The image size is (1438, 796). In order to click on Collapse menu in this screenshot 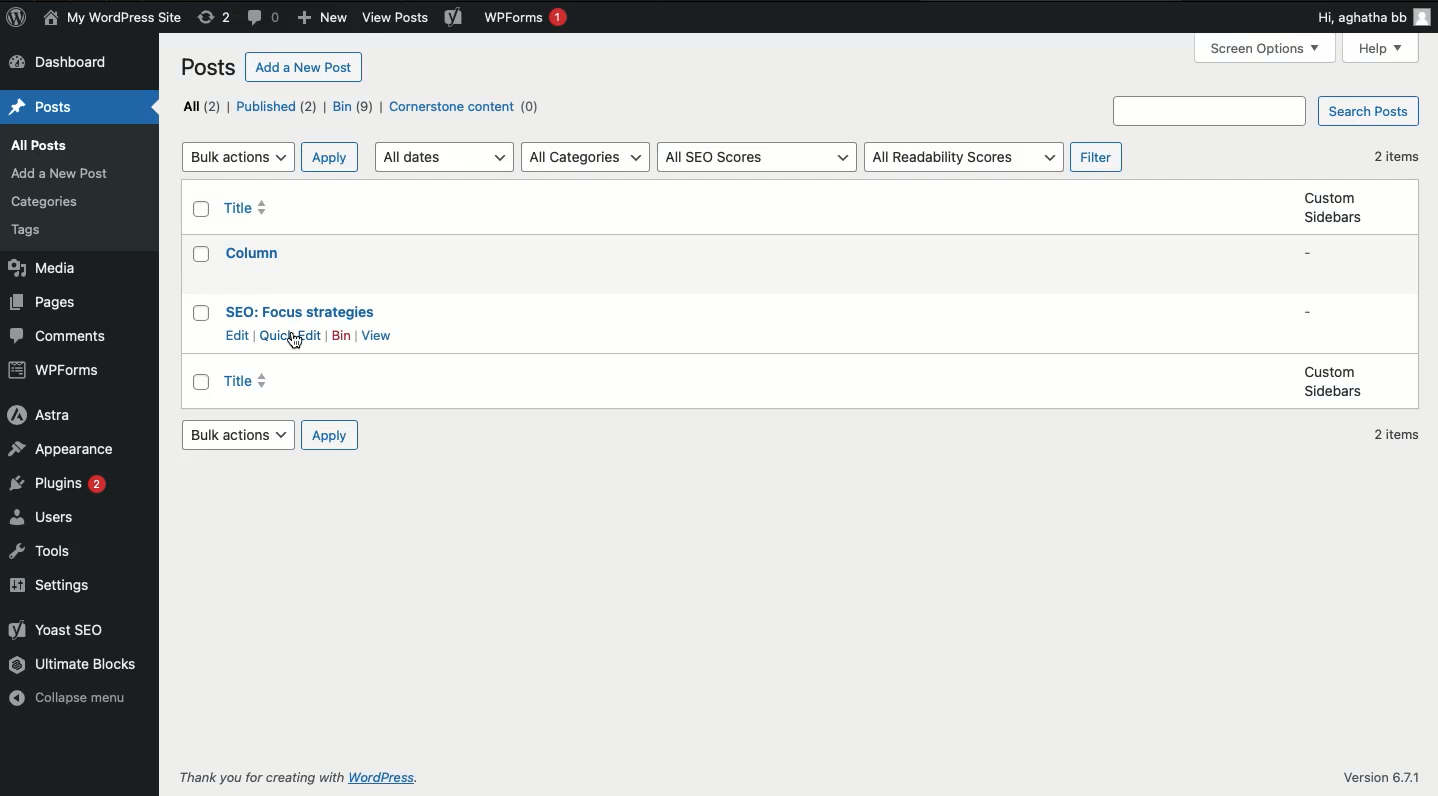, I will do `click(74, 700)`.